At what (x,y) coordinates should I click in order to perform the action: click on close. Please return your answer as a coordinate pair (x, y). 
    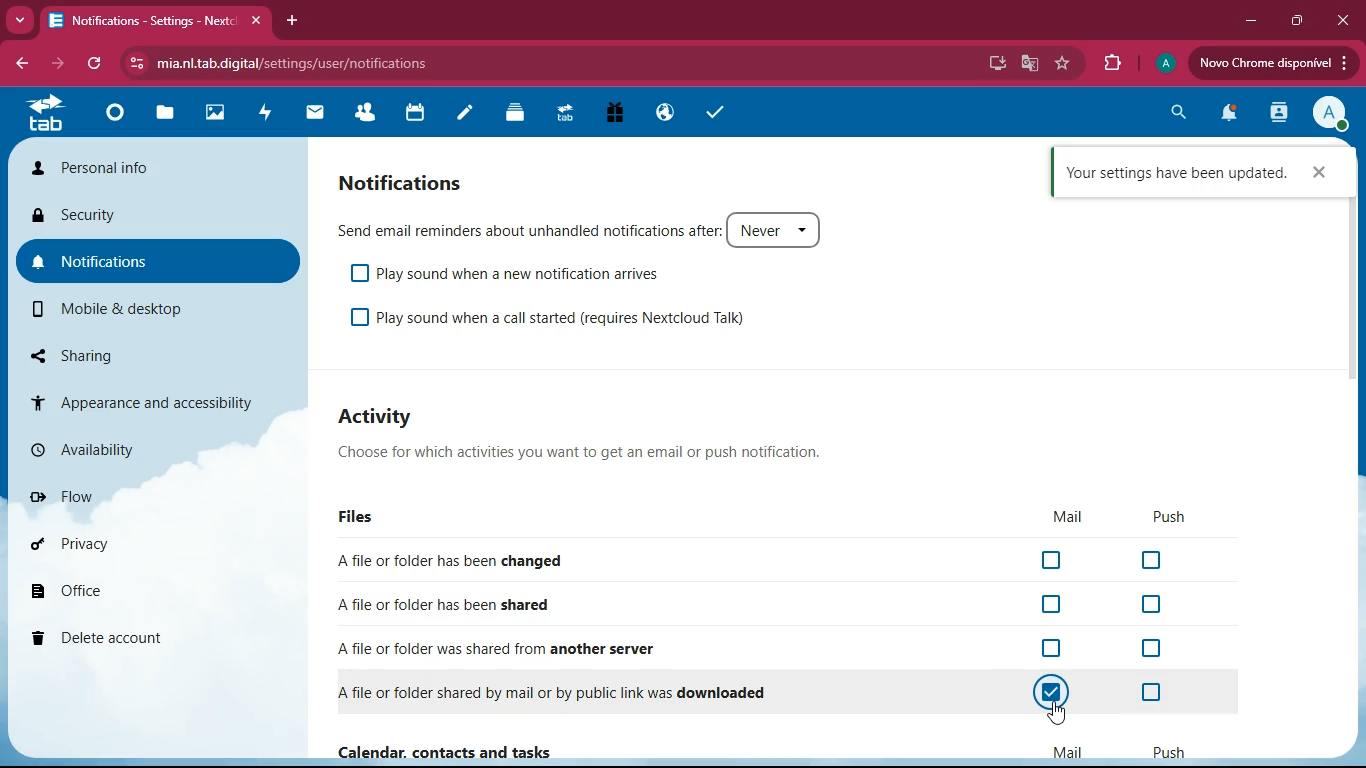
    Looking at the image, I should click on (1342, 20).